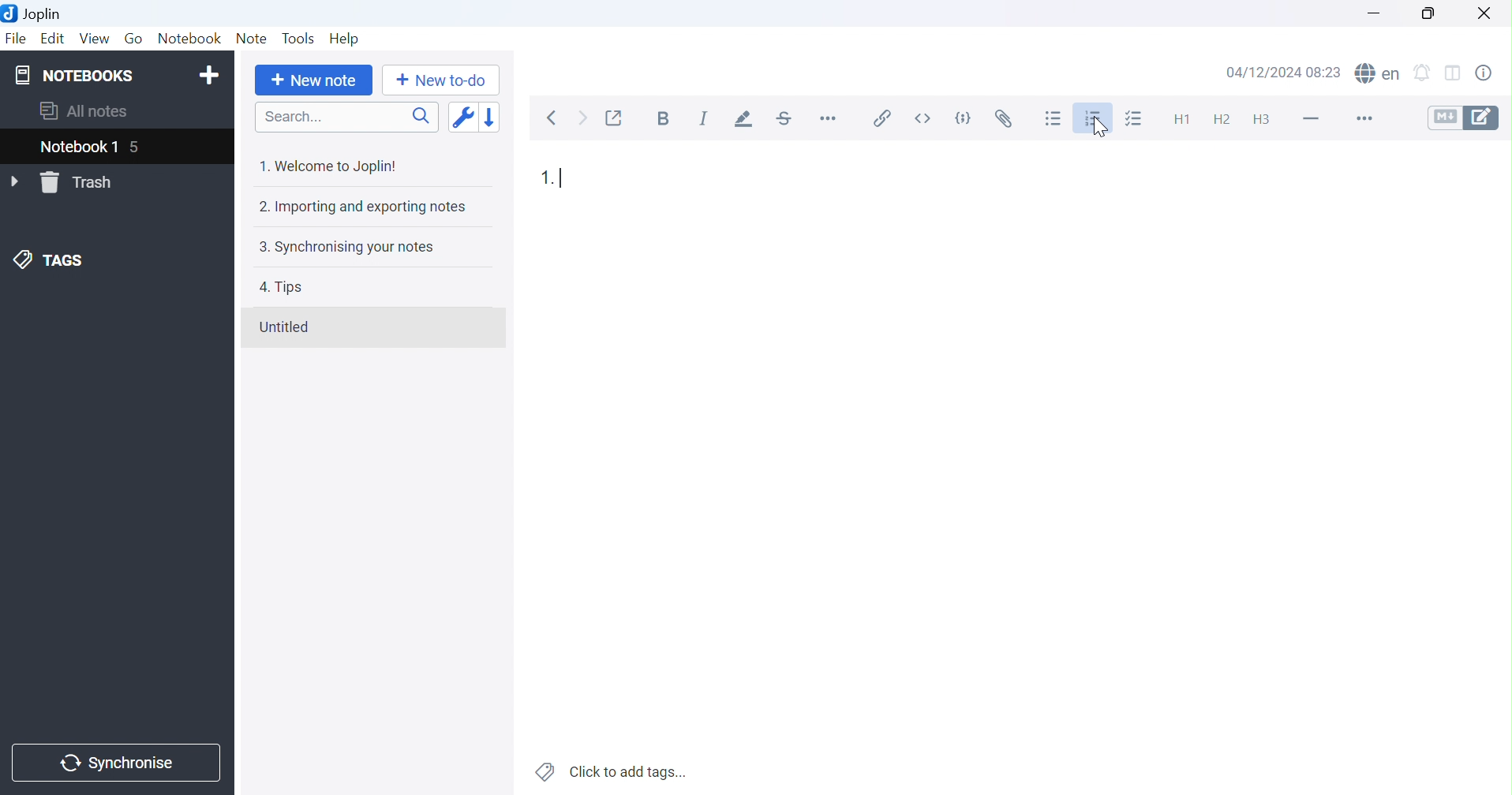  I want to click on TAGS, so click(51, 261).